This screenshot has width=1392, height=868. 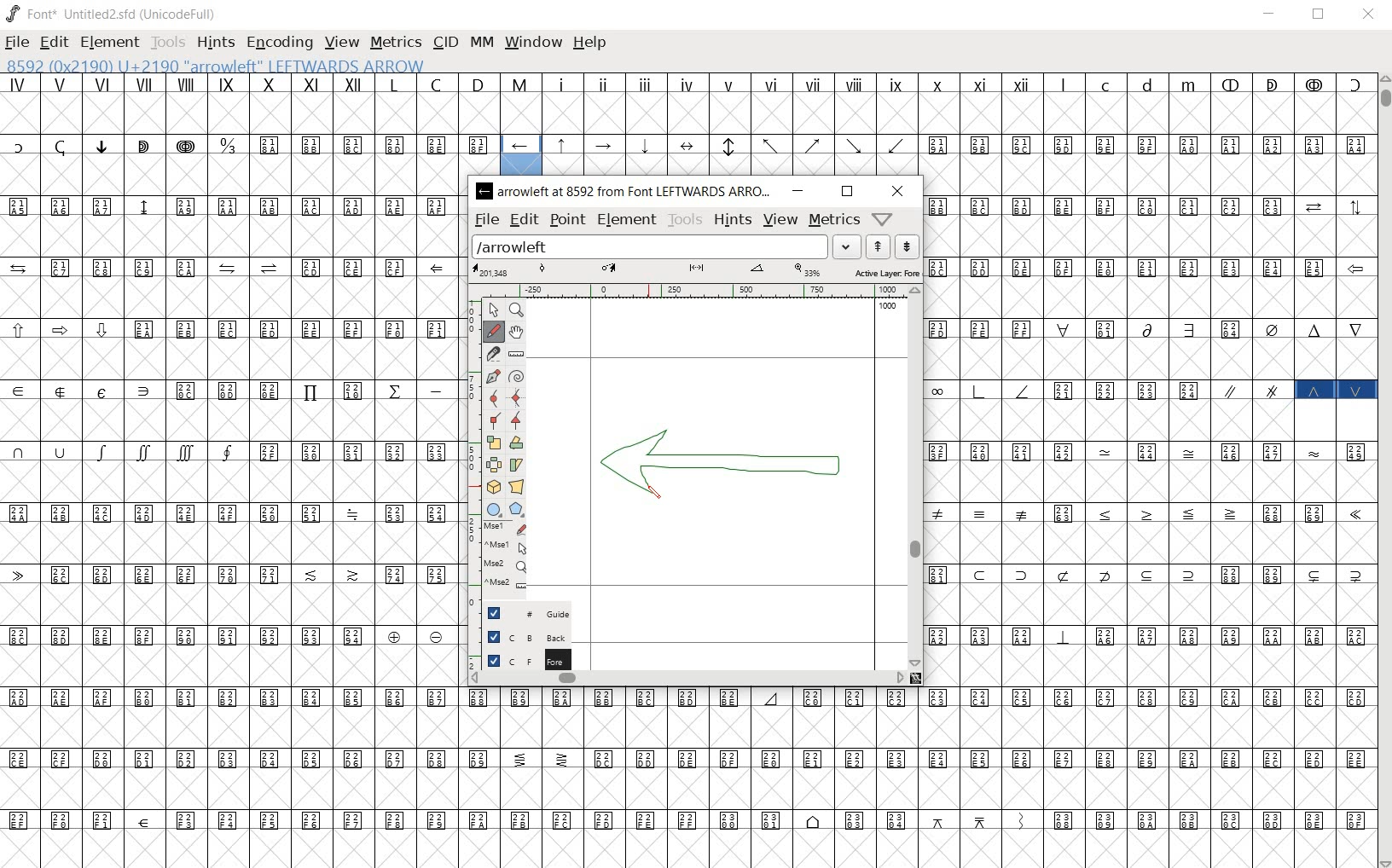 I want to click on change whether spiro is active or not, so click(x=518, y=376).